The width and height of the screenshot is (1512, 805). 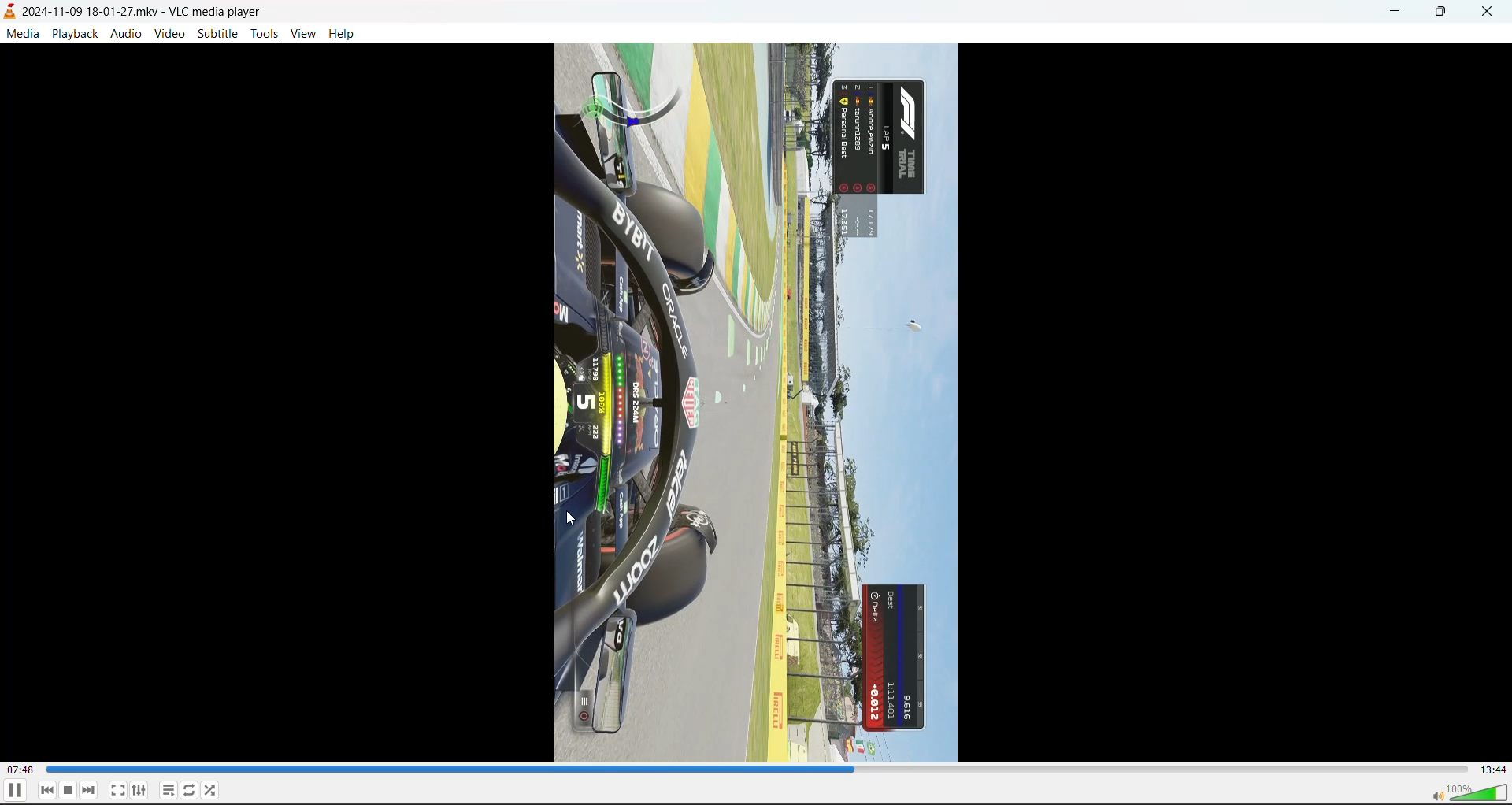 What do you see at coordinates (135, 10) in the screenshot?
I see `track and app name` at bounding box center [135, 10].